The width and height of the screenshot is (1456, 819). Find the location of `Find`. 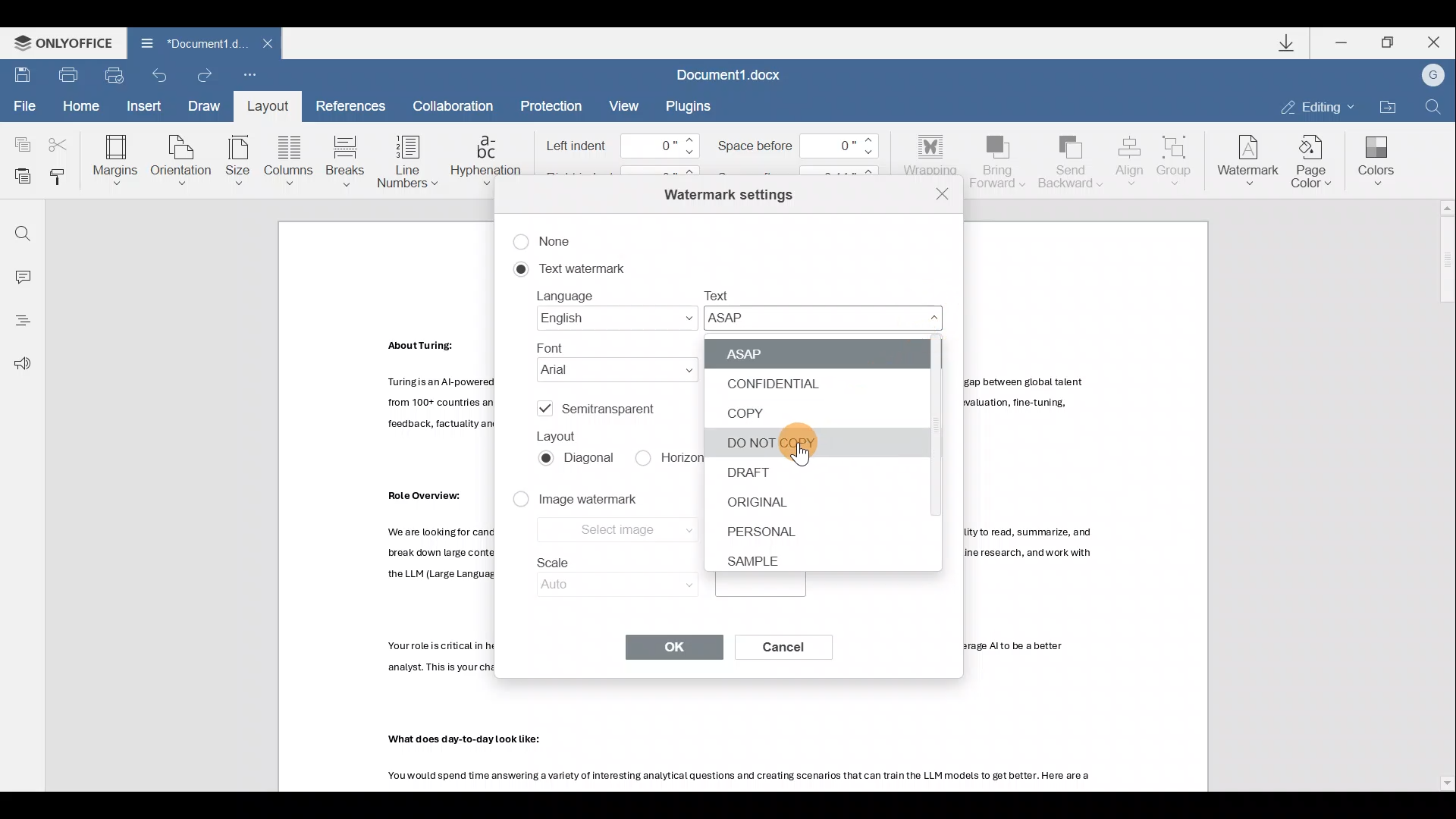

Find is located at coordinates (1433, 105).